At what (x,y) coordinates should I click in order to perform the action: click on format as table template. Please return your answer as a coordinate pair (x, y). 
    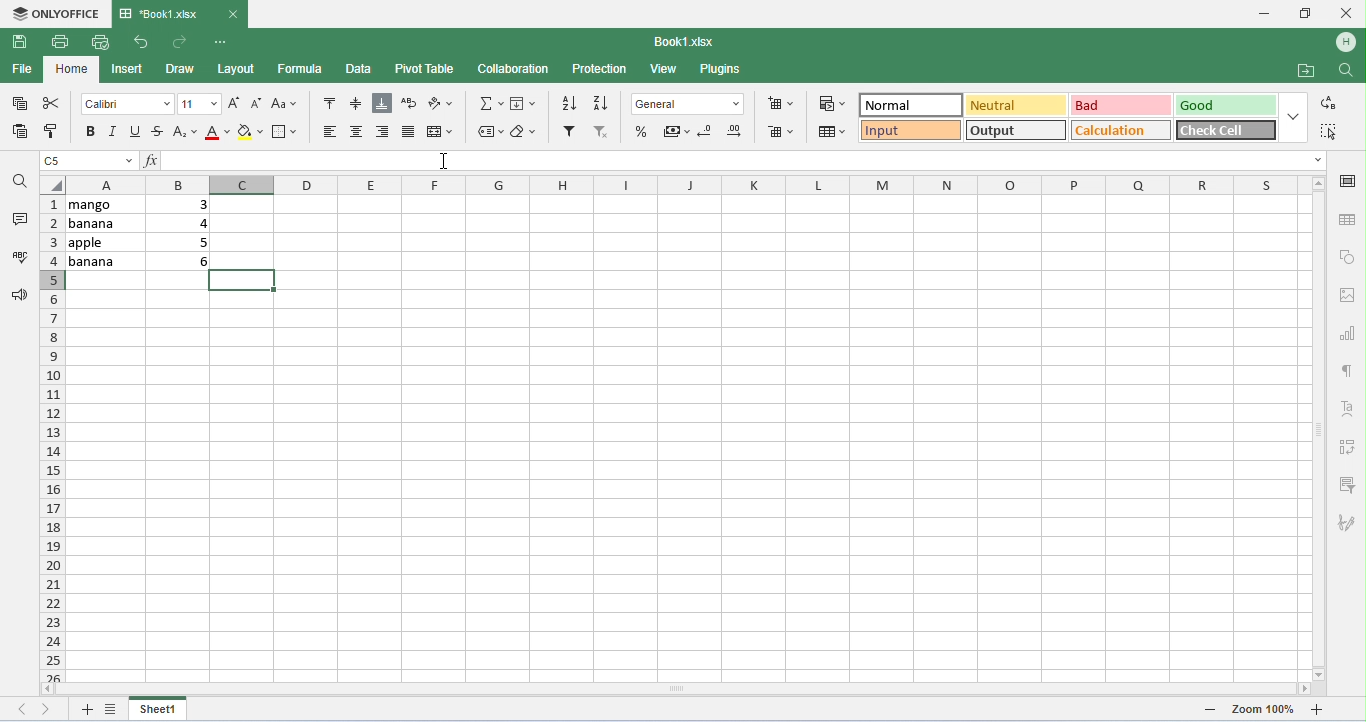
    Looking at the image, I should click on (832, 133).